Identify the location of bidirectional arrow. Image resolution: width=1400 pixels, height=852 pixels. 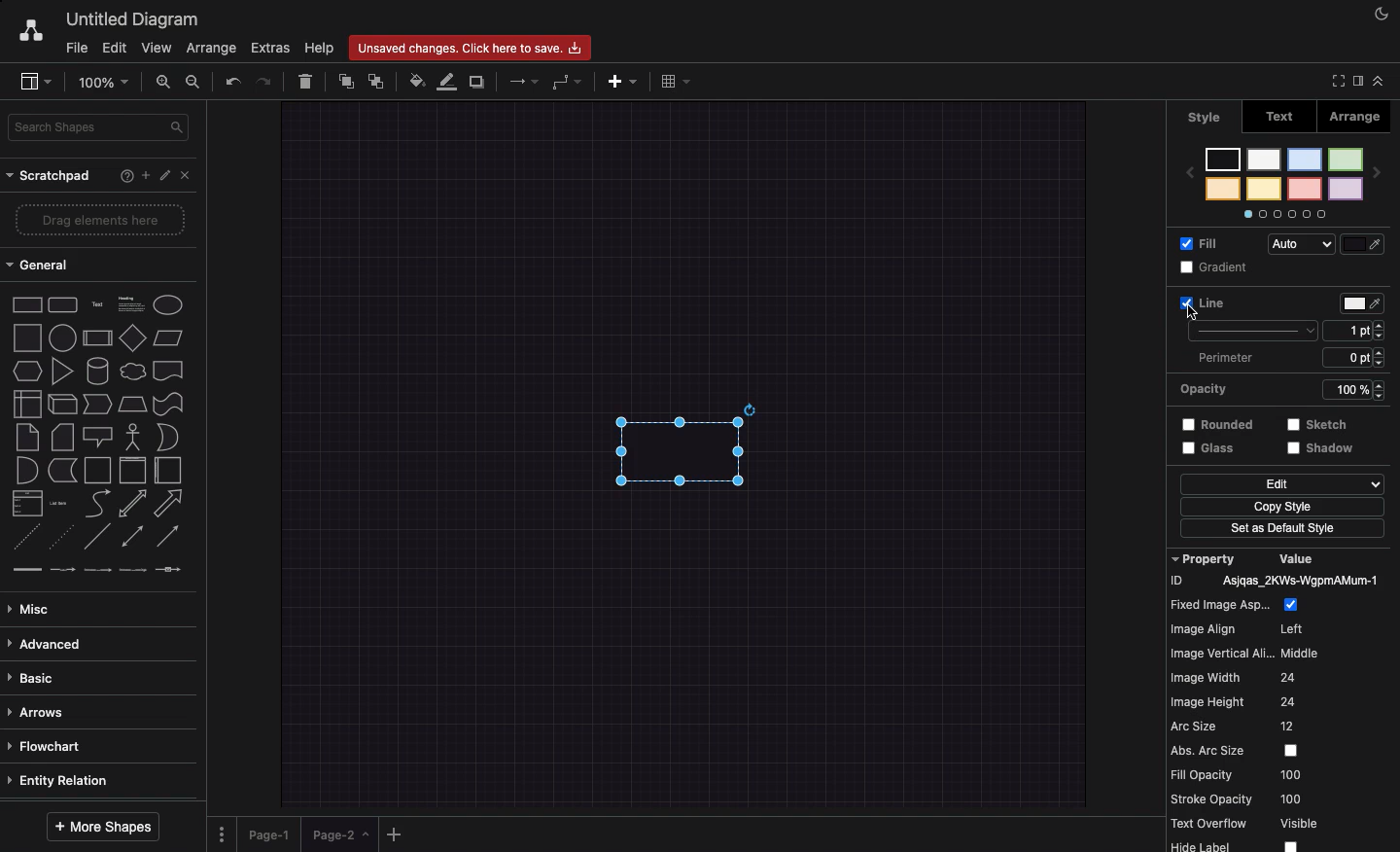
(132, 503).